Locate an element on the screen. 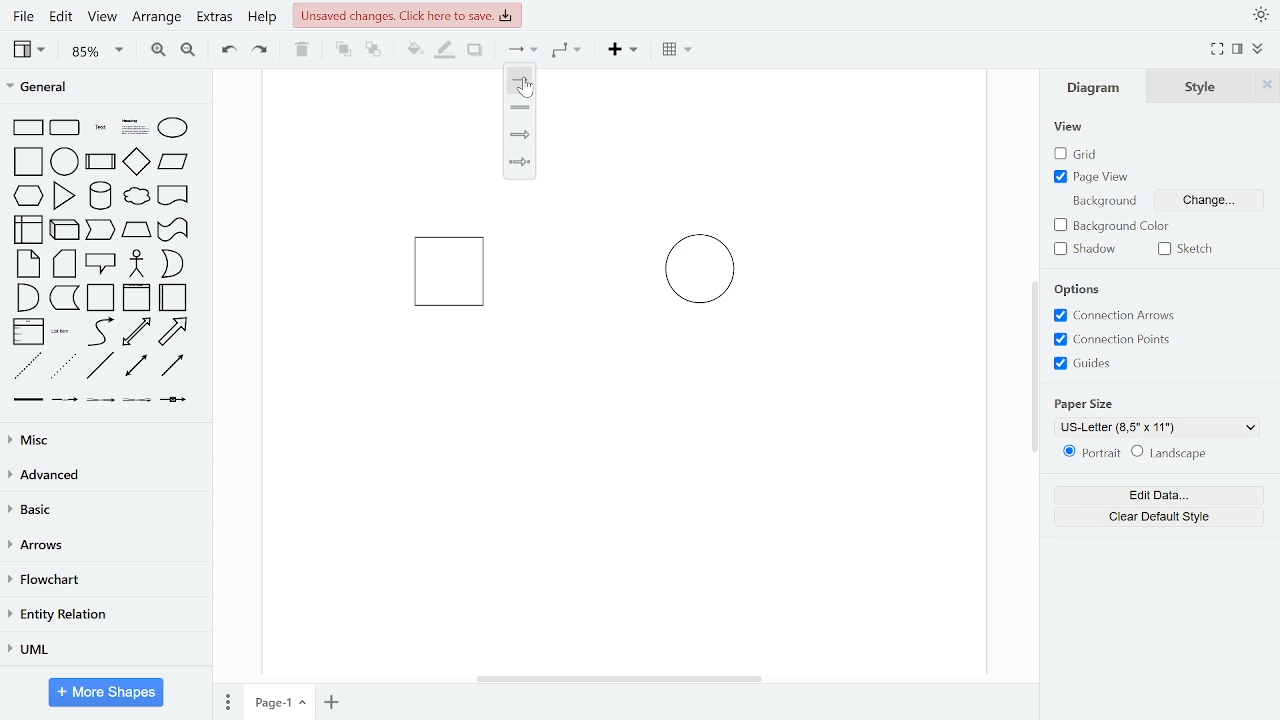 The height and width of the screenshot is (720, 1280). background color is located at coordinates (1115, 227).